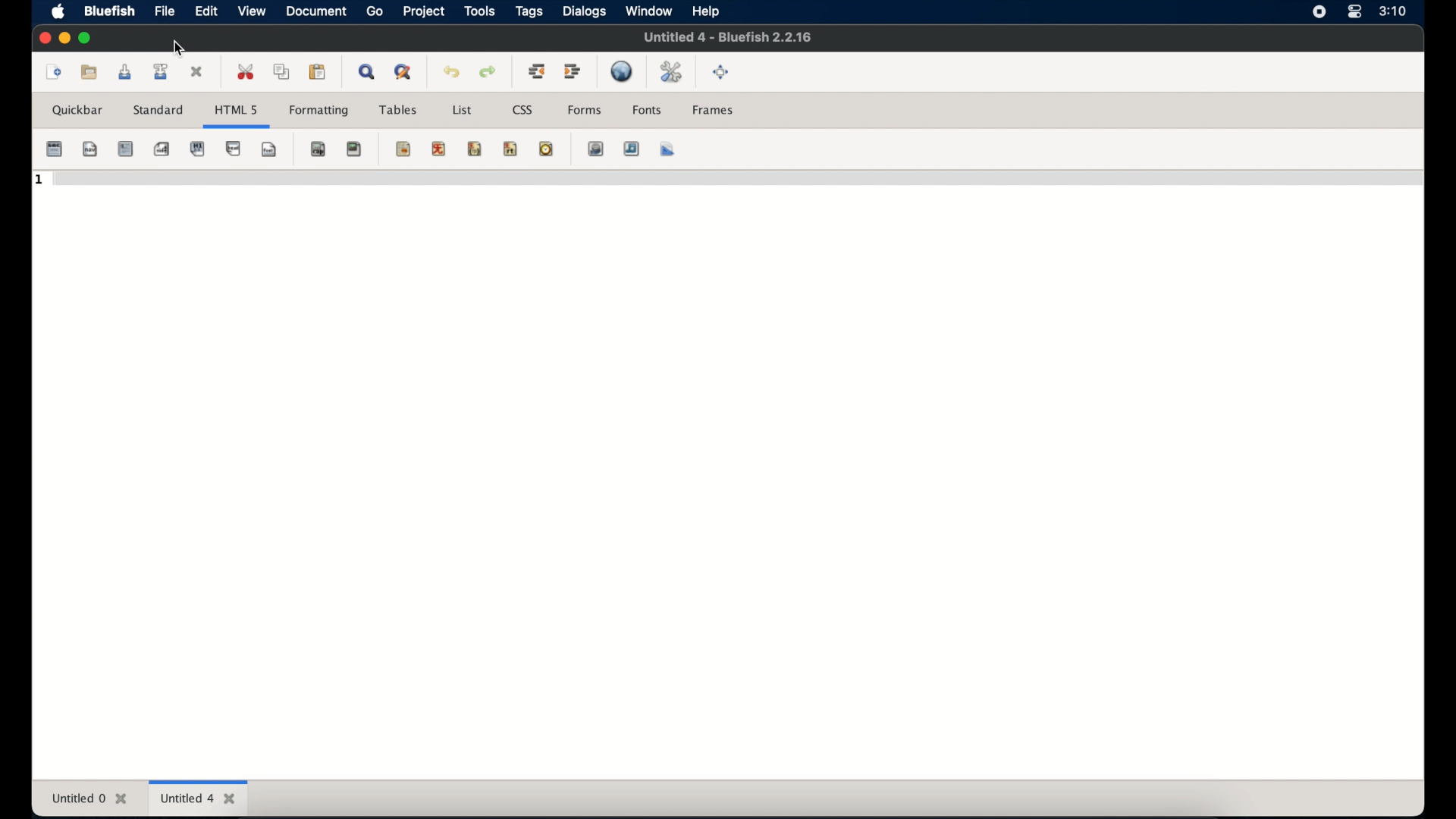 This screenshot has height=819, width=1456. I want to click on view, so click(251, 11).